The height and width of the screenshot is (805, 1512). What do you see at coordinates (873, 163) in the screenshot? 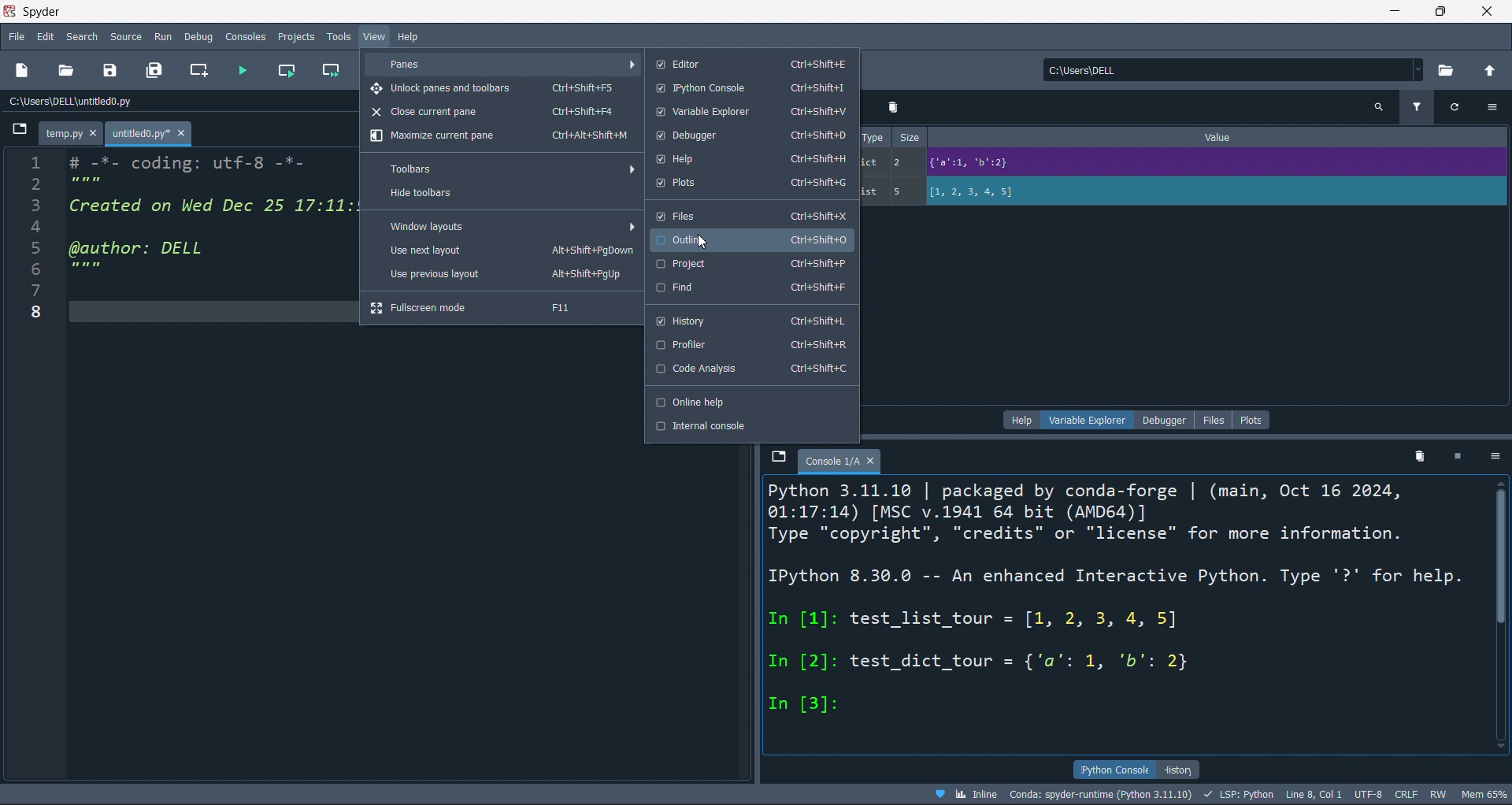
I see `dict` at bounding box center [873, 163].